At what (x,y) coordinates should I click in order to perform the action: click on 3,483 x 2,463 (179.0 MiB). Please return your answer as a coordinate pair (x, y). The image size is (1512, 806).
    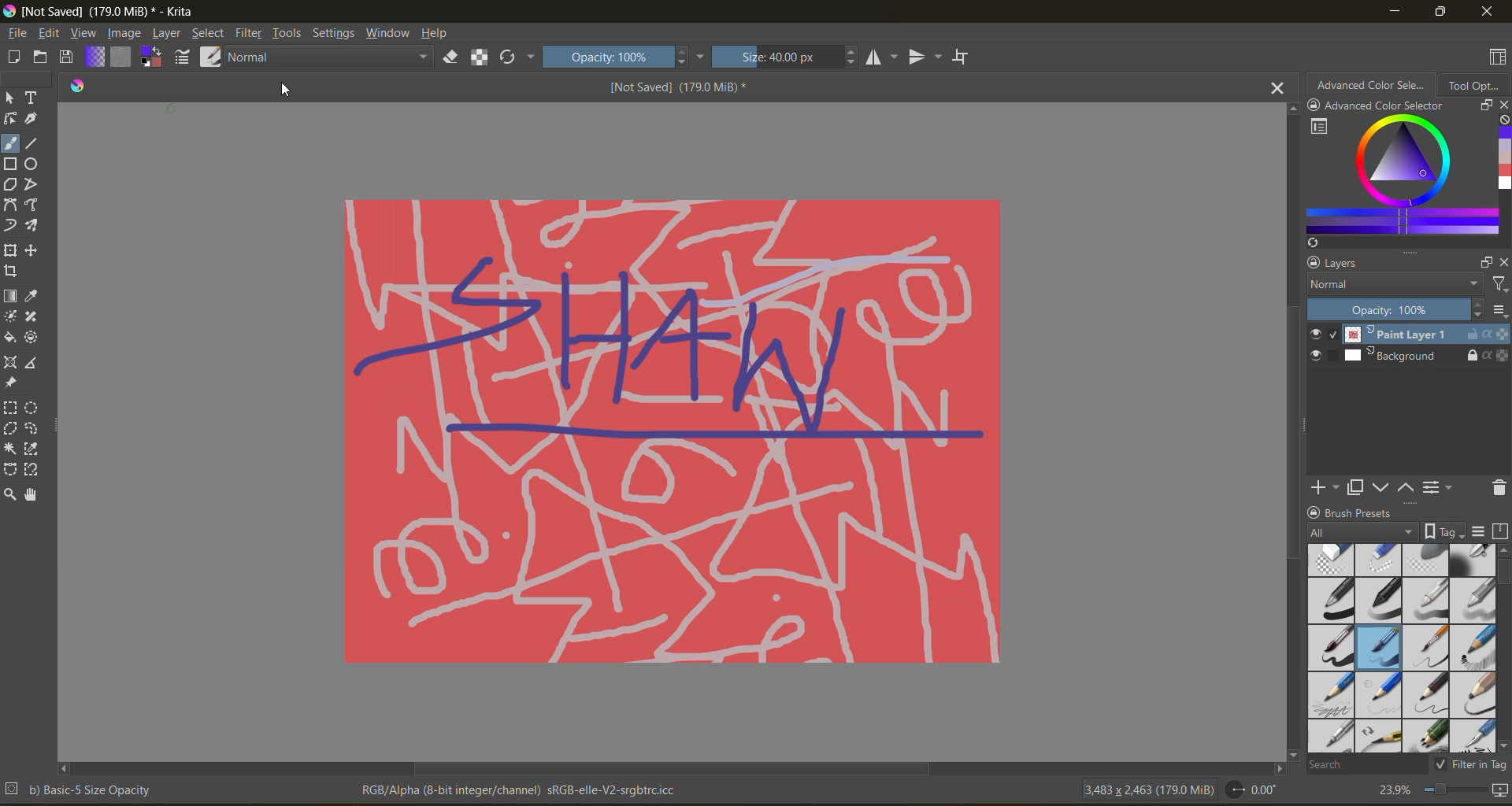
    Looking at the image, I should click on (1148, 789).